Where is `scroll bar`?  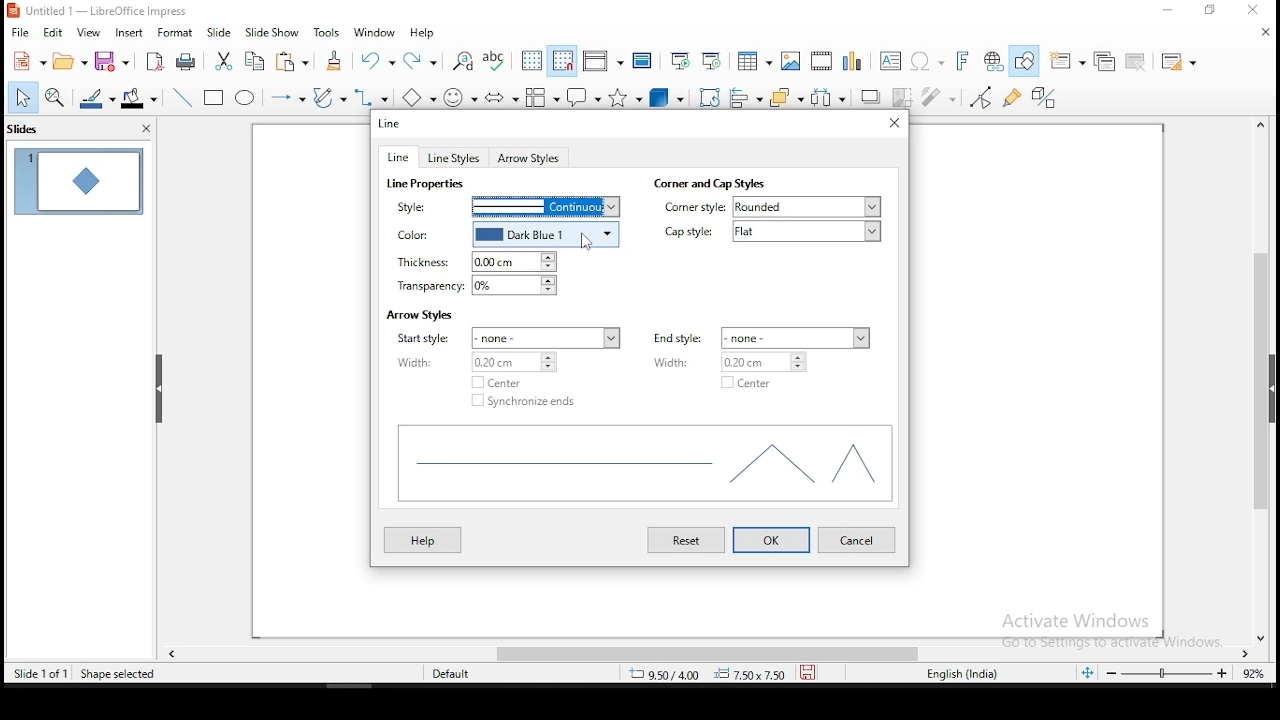 scroll bar is located at coordinates (1267, 383).